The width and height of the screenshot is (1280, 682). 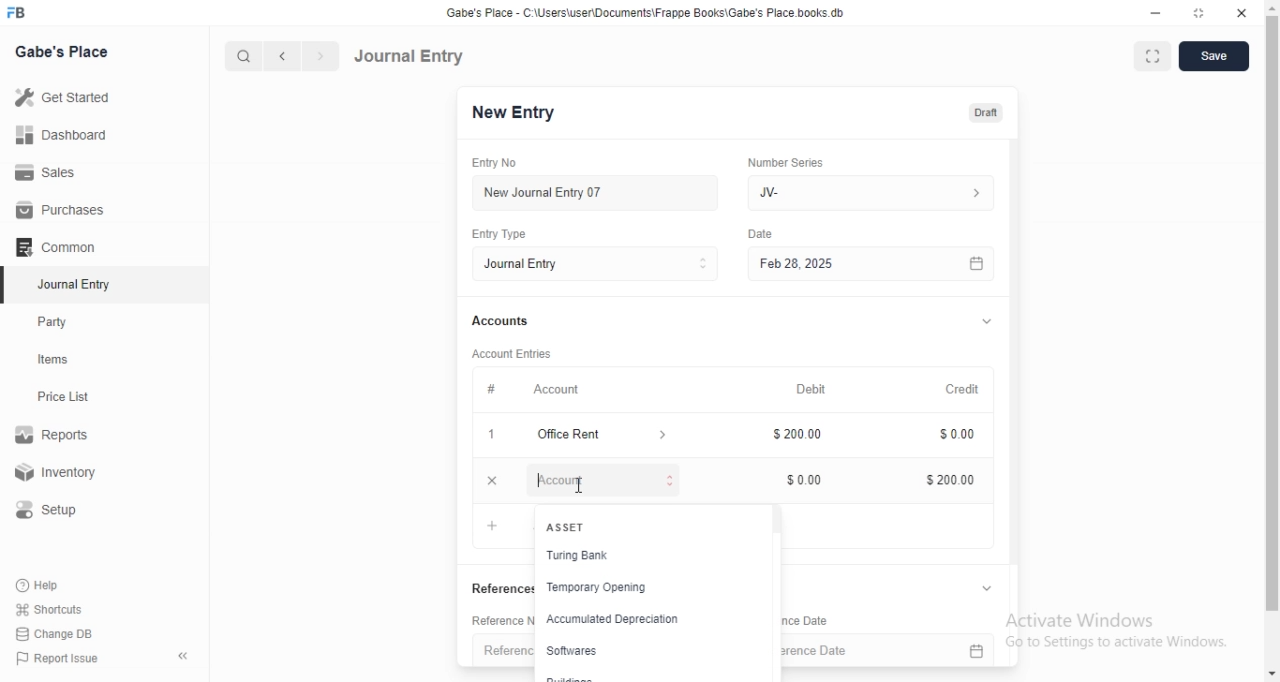 I want to click on minimize, so click(x=1162, y=11).